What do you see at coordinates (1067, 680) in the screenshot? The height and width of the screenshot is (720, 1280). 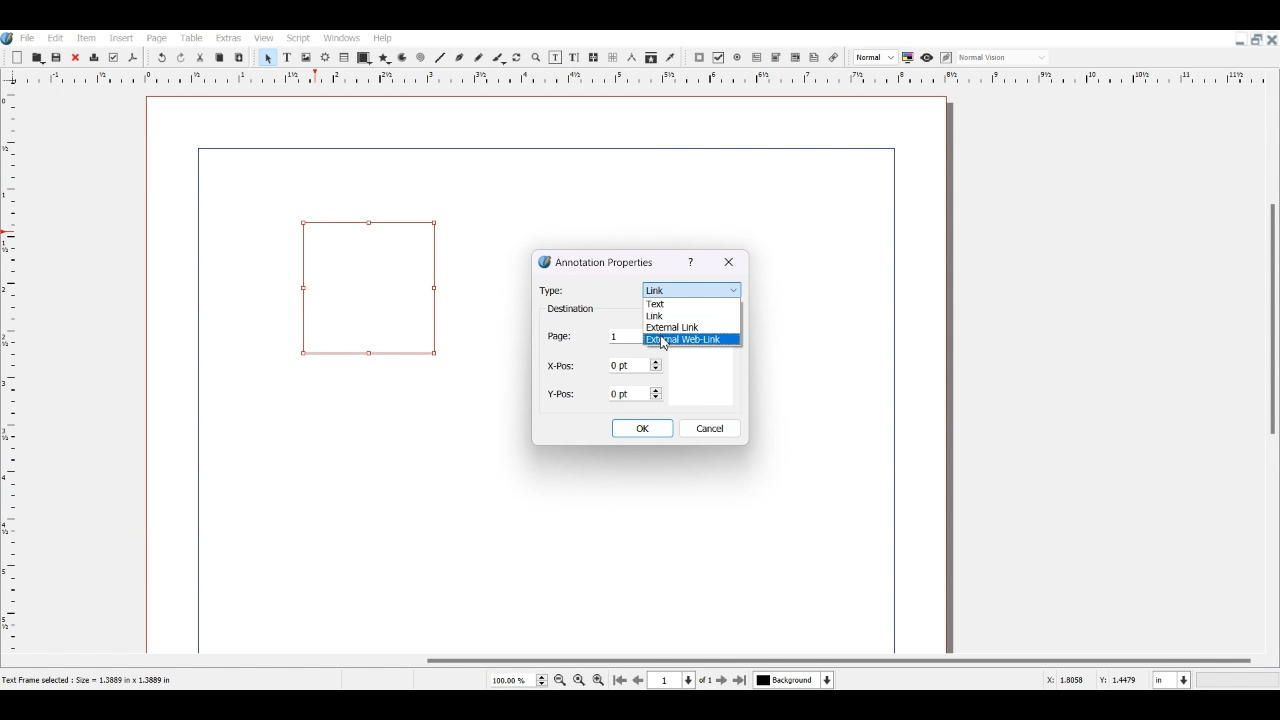 I see `X, Y Co-ordinate` at bounding box center [1067, 680].